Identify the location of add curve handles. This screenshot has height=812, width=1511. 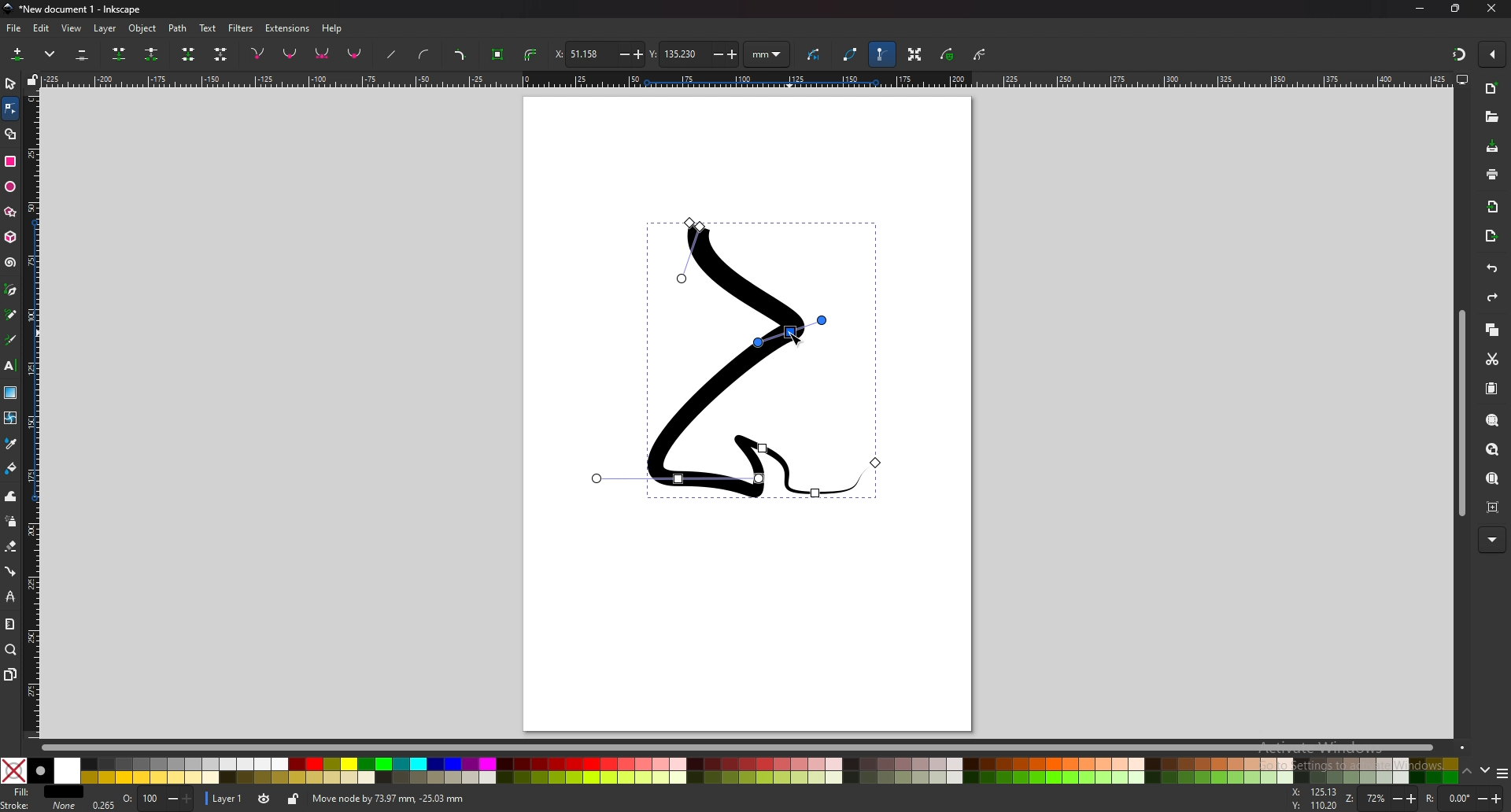
(423, 54).